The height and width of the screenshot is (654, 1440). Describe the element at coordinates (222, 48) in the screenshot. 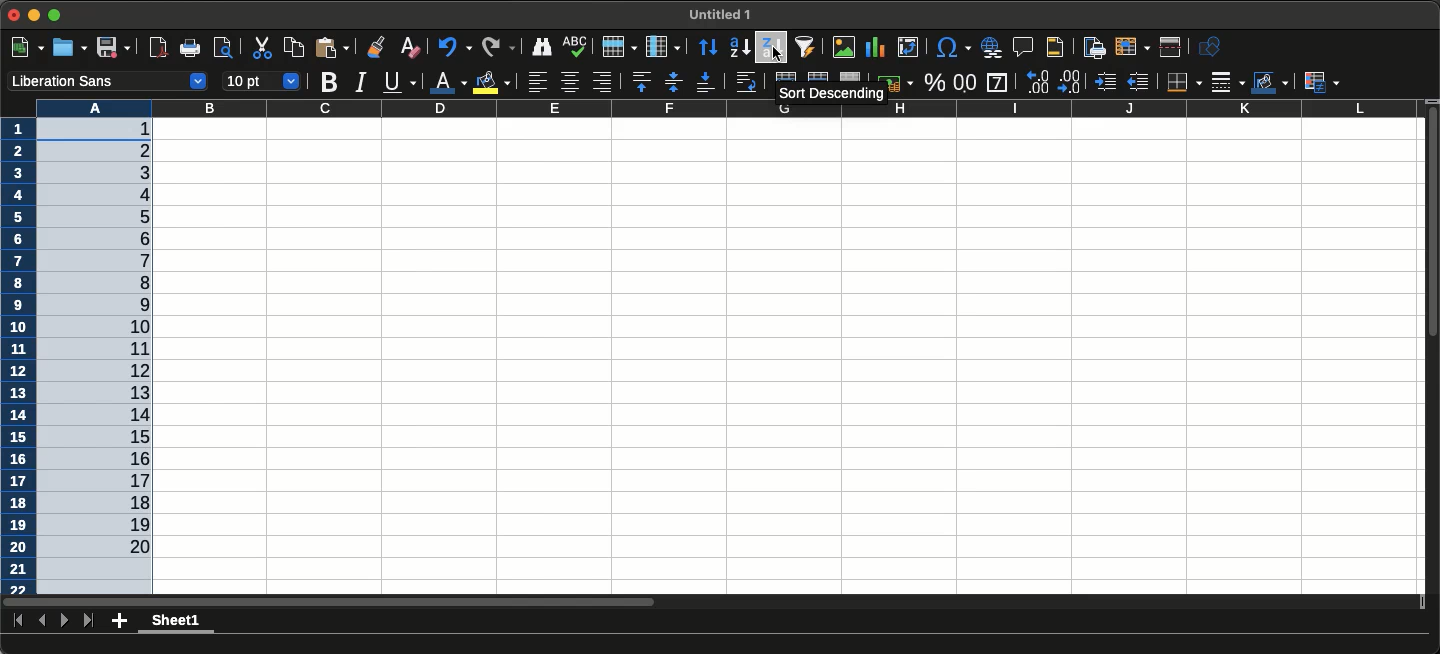

I see `Toggle print preview` at that location.